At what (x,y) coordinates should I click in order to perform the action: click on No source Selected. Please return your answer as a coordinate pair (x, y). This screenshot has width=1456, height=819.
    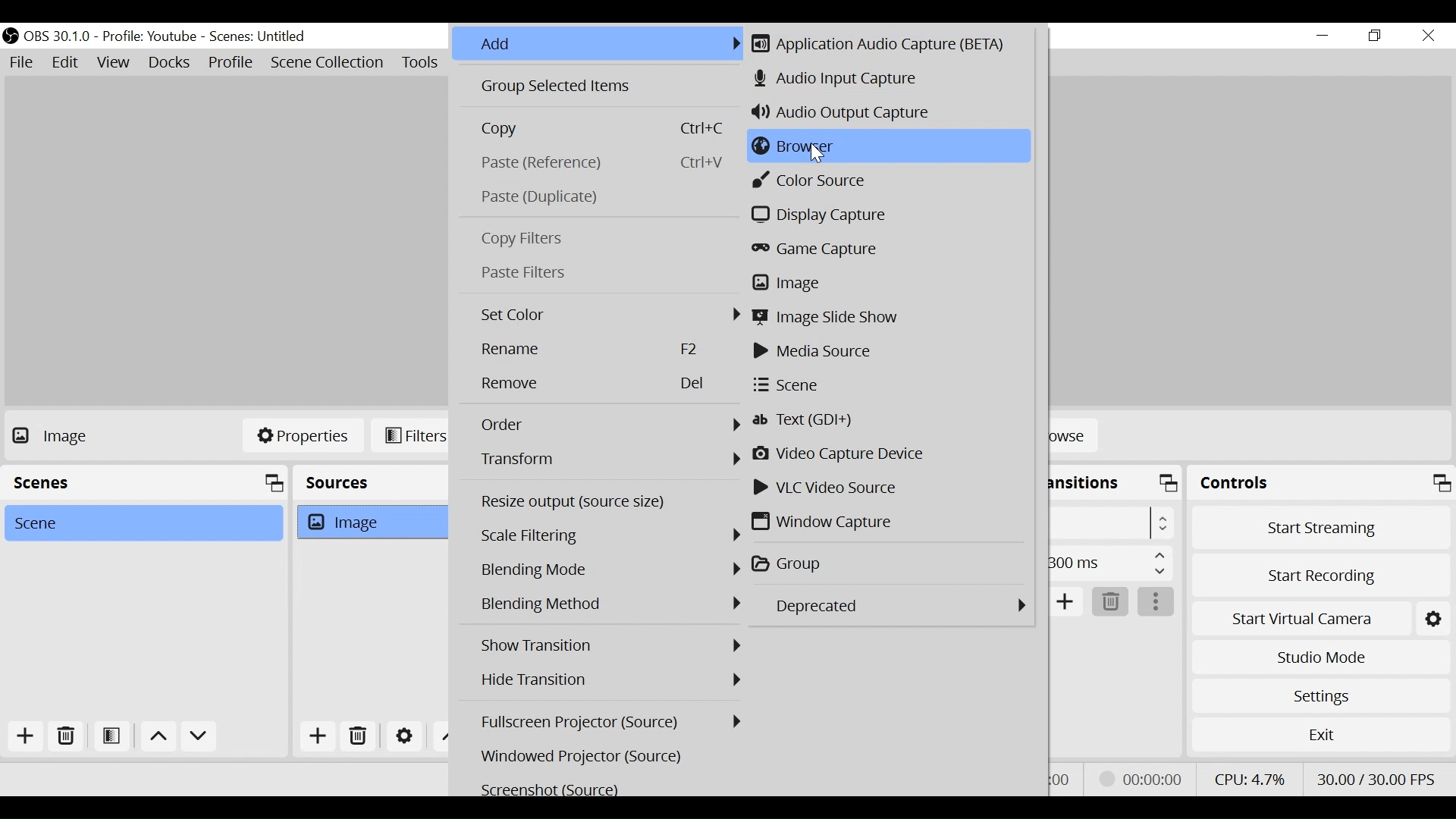
    Looking at the image, I should click on (80, 438).